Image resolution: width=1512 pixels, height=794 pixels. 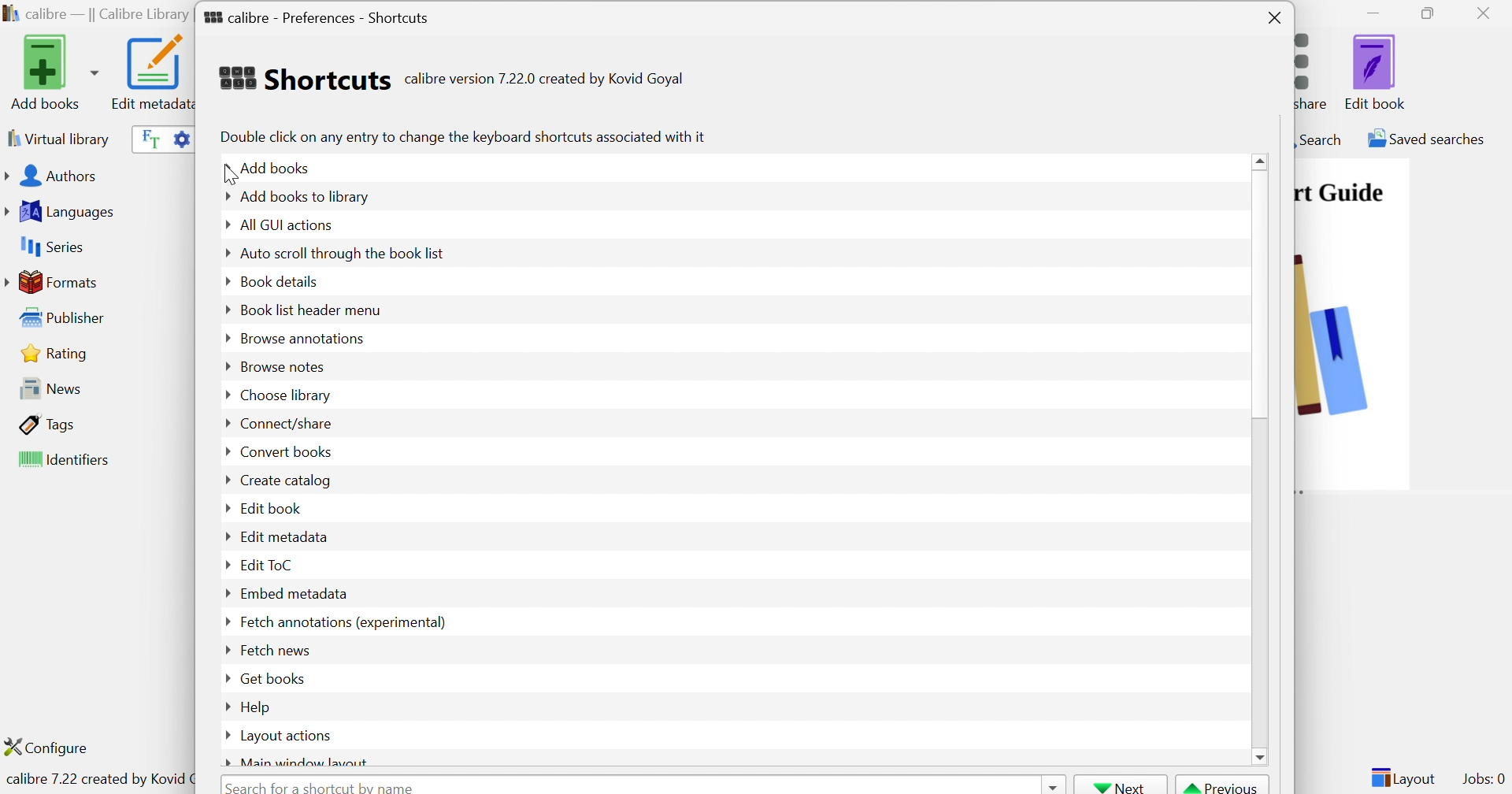 What do you see at coordinates (1223, 785) in the screenshot?
I see `Previous` at bounding box center [1223, 785].